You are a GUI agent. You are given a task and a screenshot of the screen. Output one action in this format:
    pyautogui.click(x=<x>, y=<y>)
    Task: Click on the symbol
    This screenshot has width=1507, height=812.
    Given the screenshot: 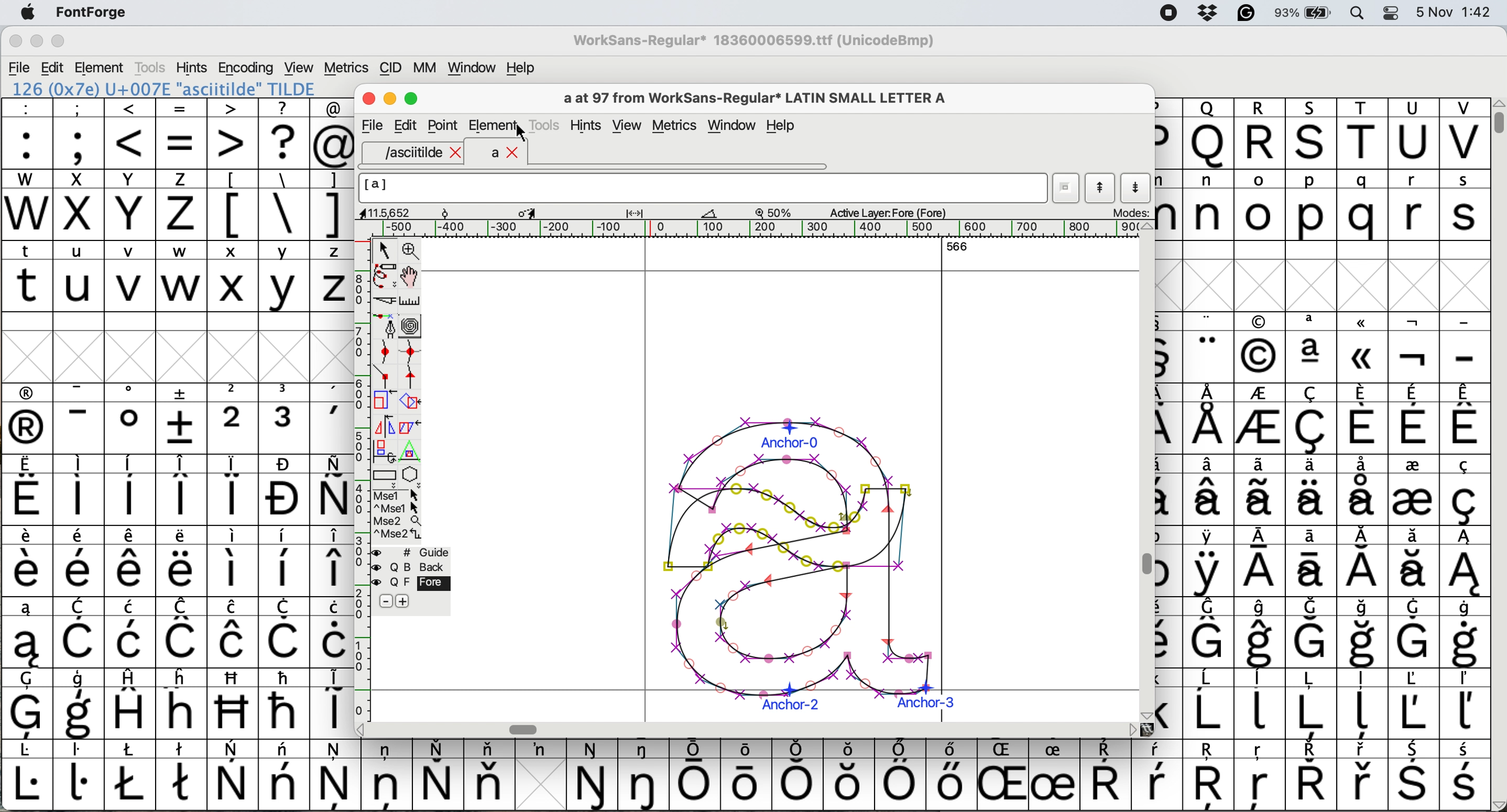 What is the action you would take?
    pyautogui.click(x=1310, y=775)
    